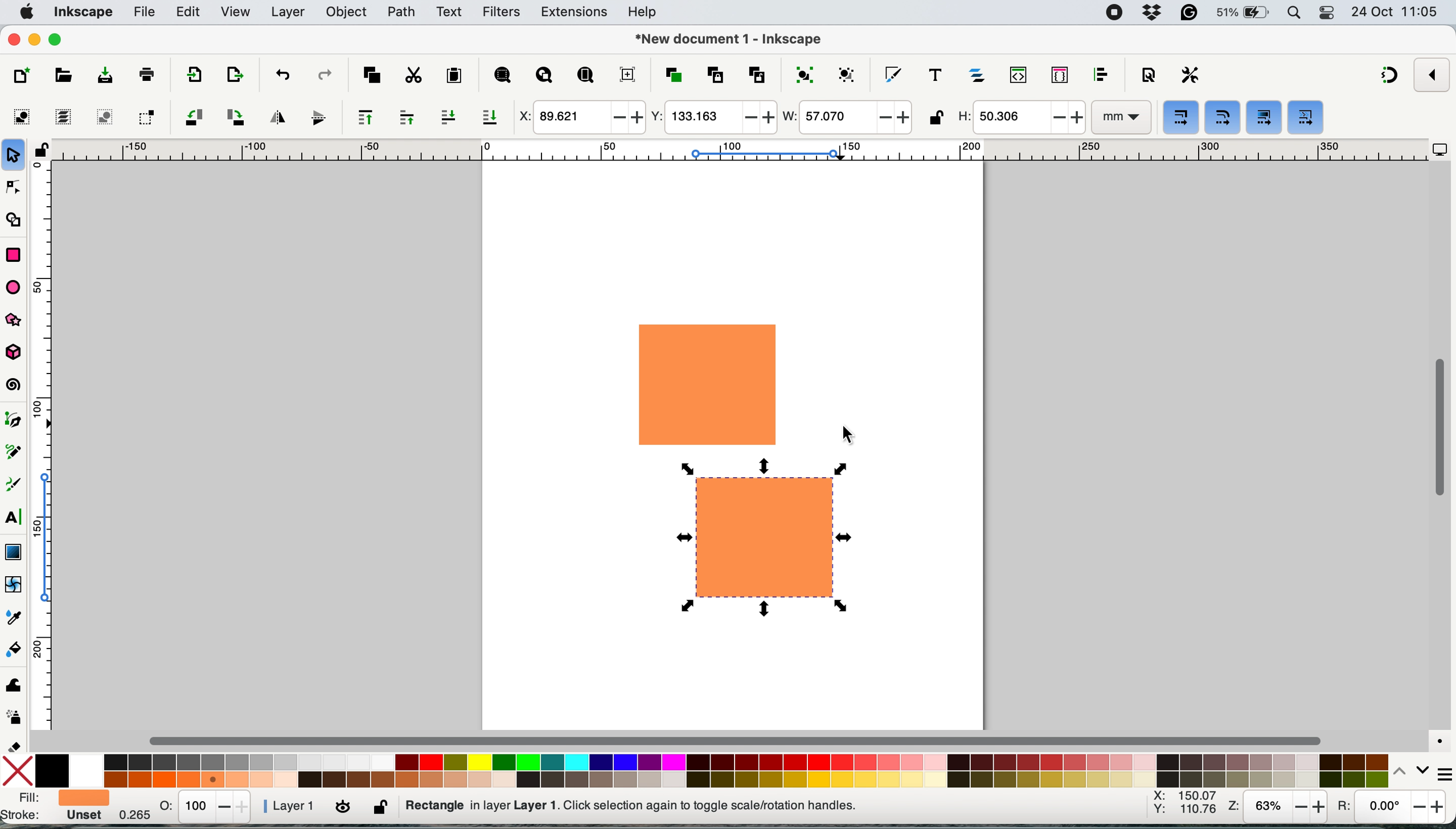 The width and height of the screenshot is (1456, 829). I want to click on fill and stroke, so click(54, 808).